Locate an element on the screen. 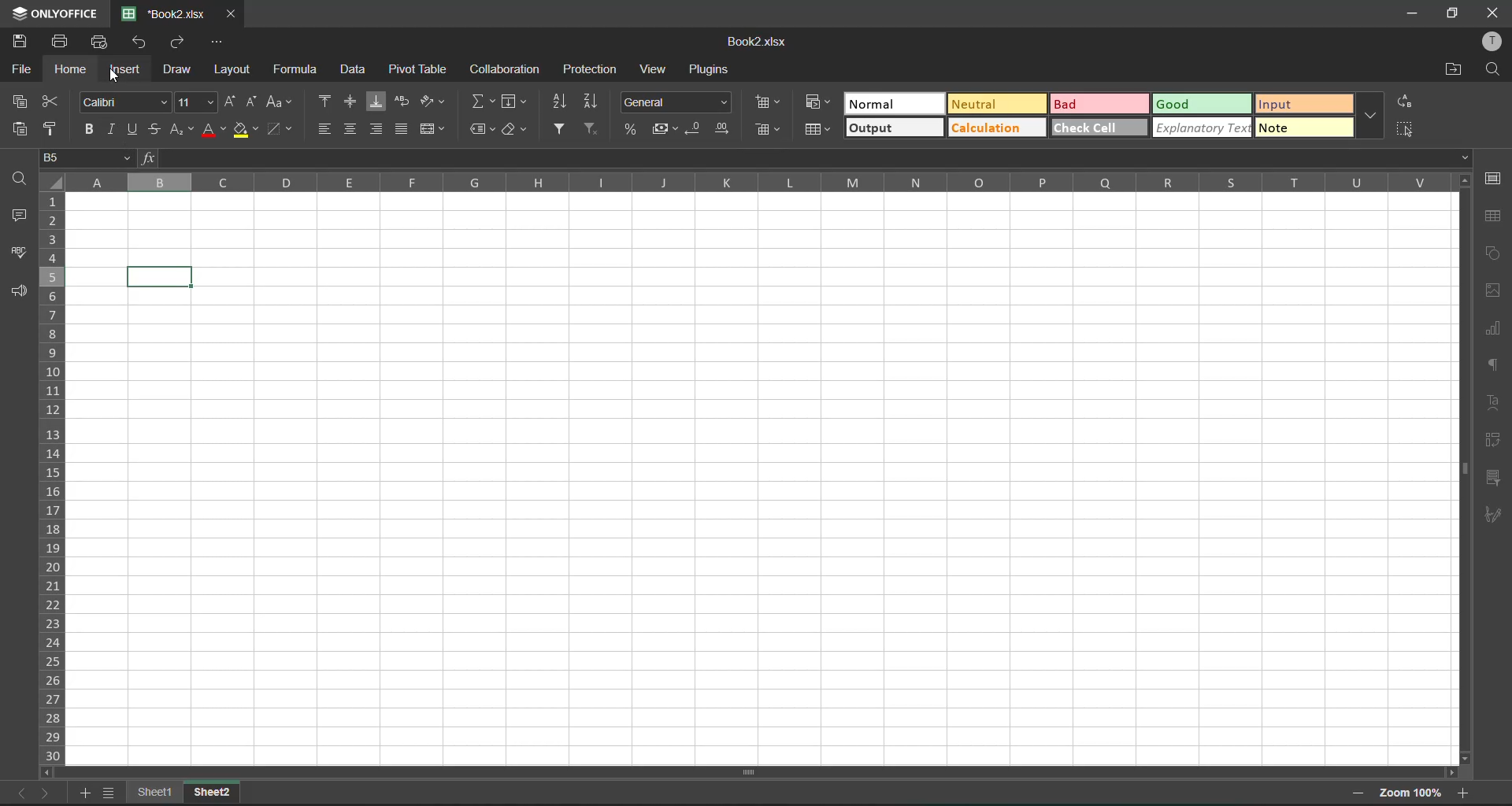  increment size is located at coordinates (232, 102).